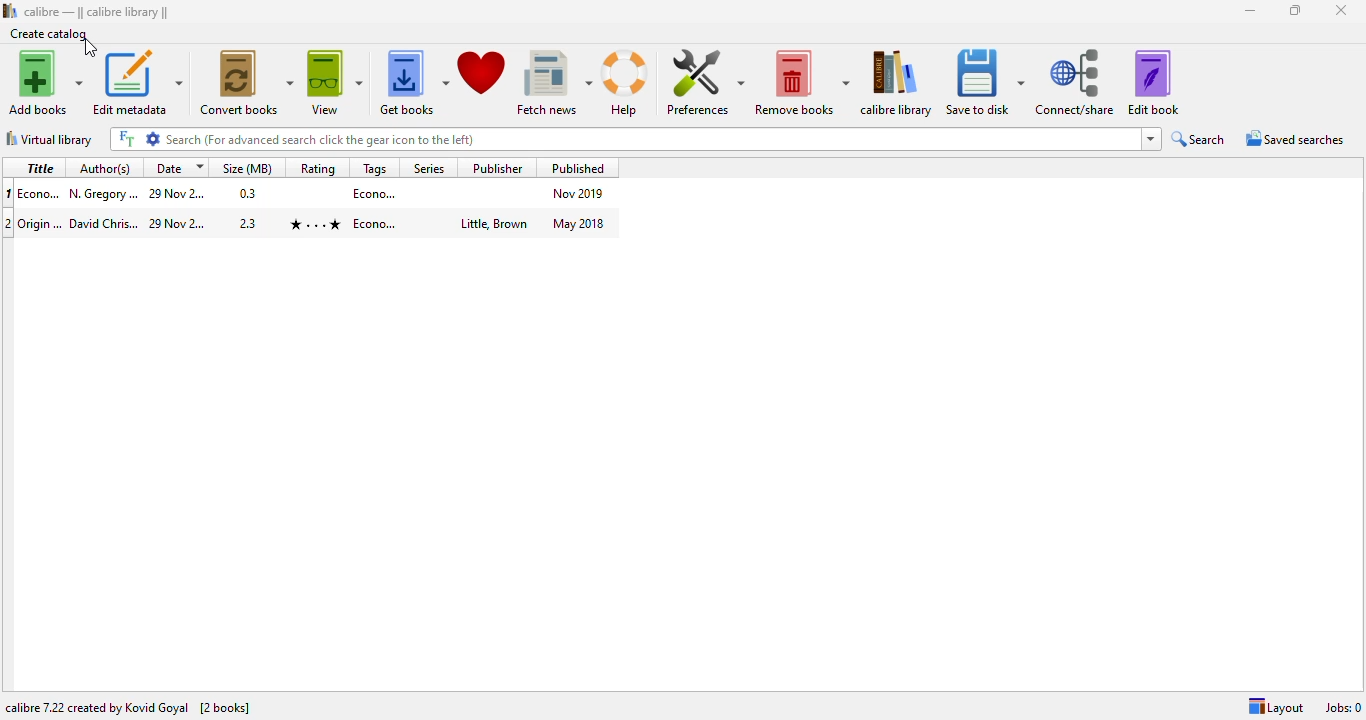 The image size is (1366, 720). What do you see at coordinates (636, 139) in the screenshot?
I see `search` at bounding box center [636, 139].